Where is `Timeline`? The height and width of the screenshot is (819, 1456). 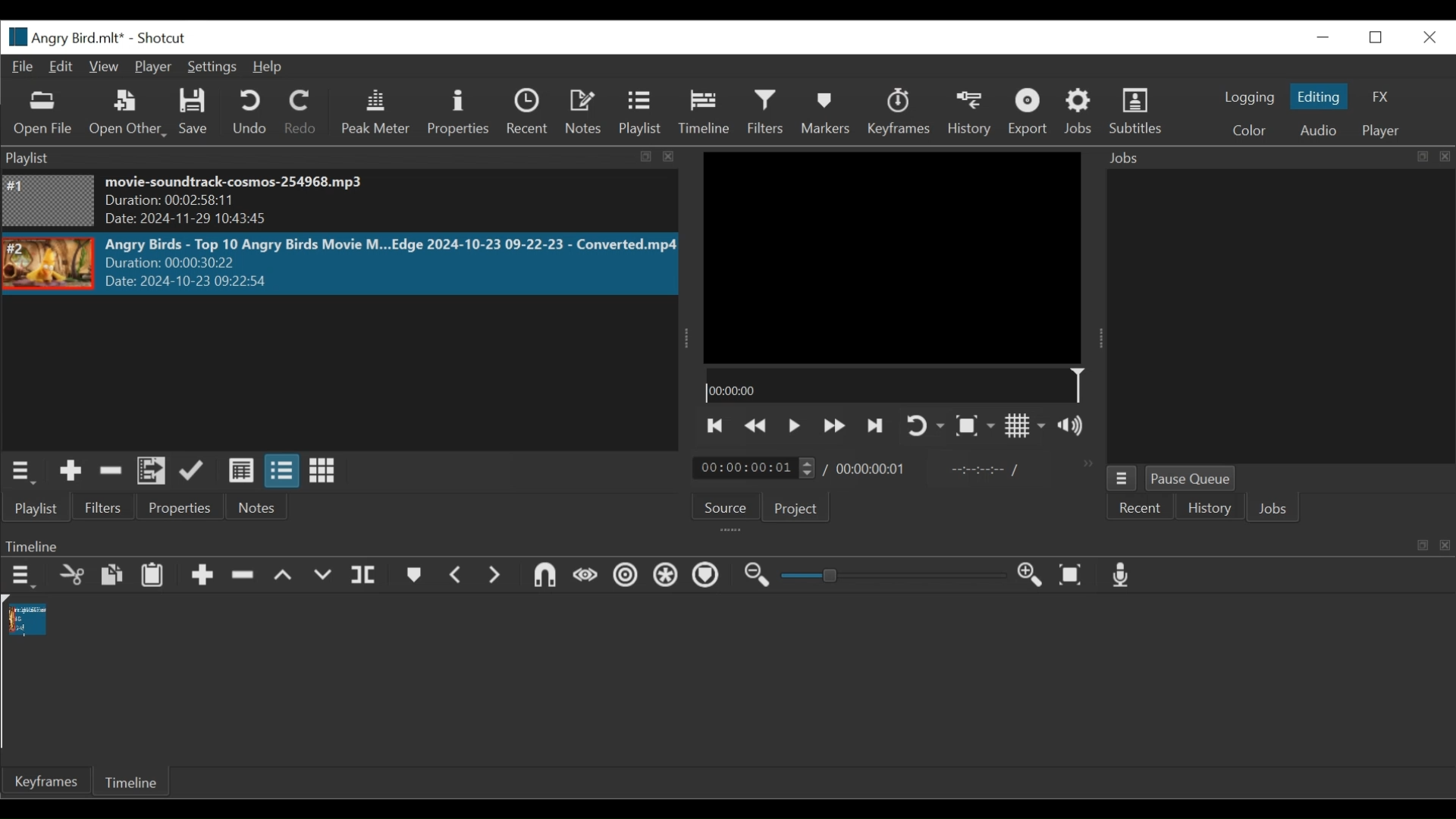 Timeline is located at coordinates (135, 781).